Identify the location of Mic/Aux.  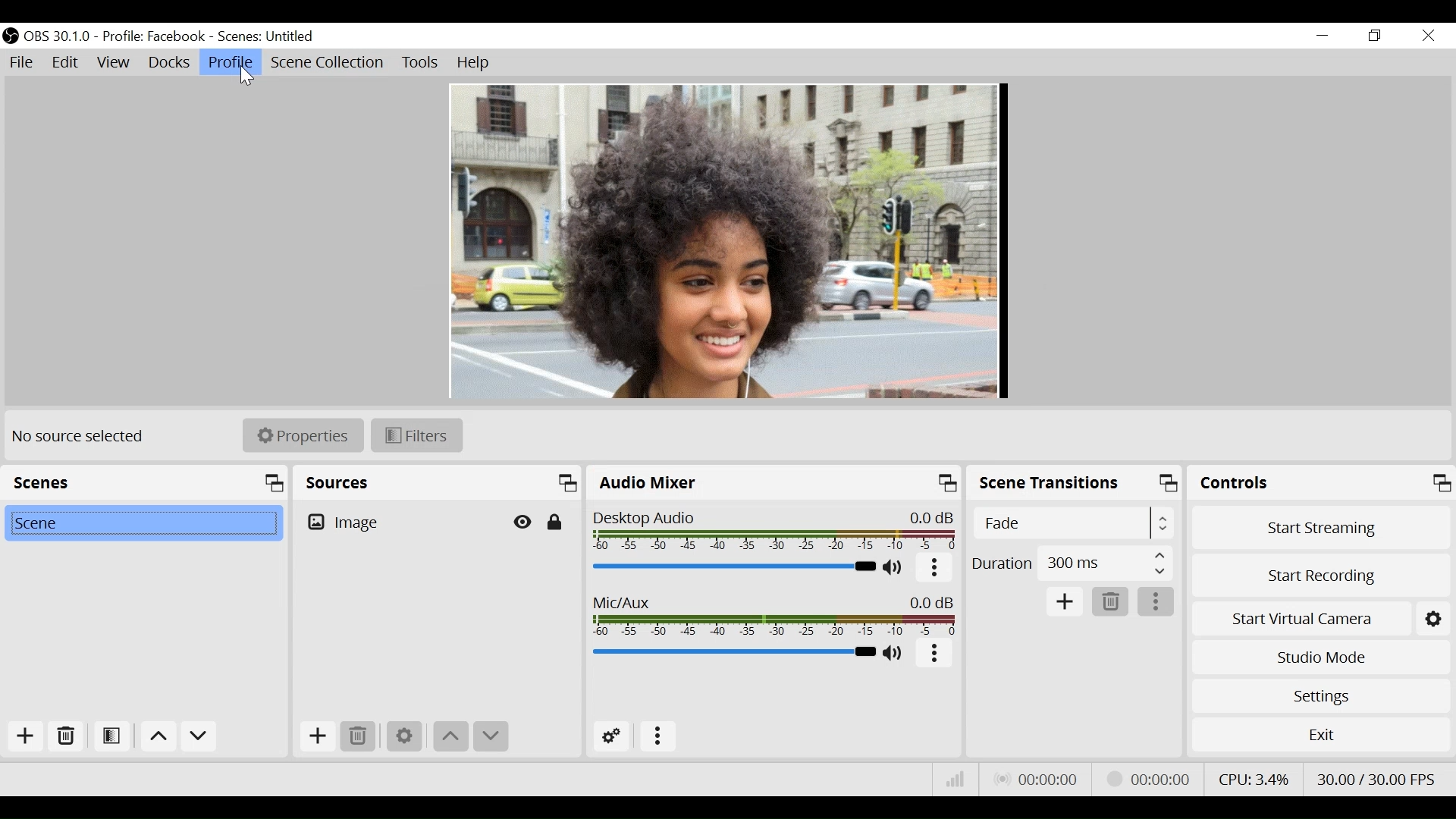
(733, 651).